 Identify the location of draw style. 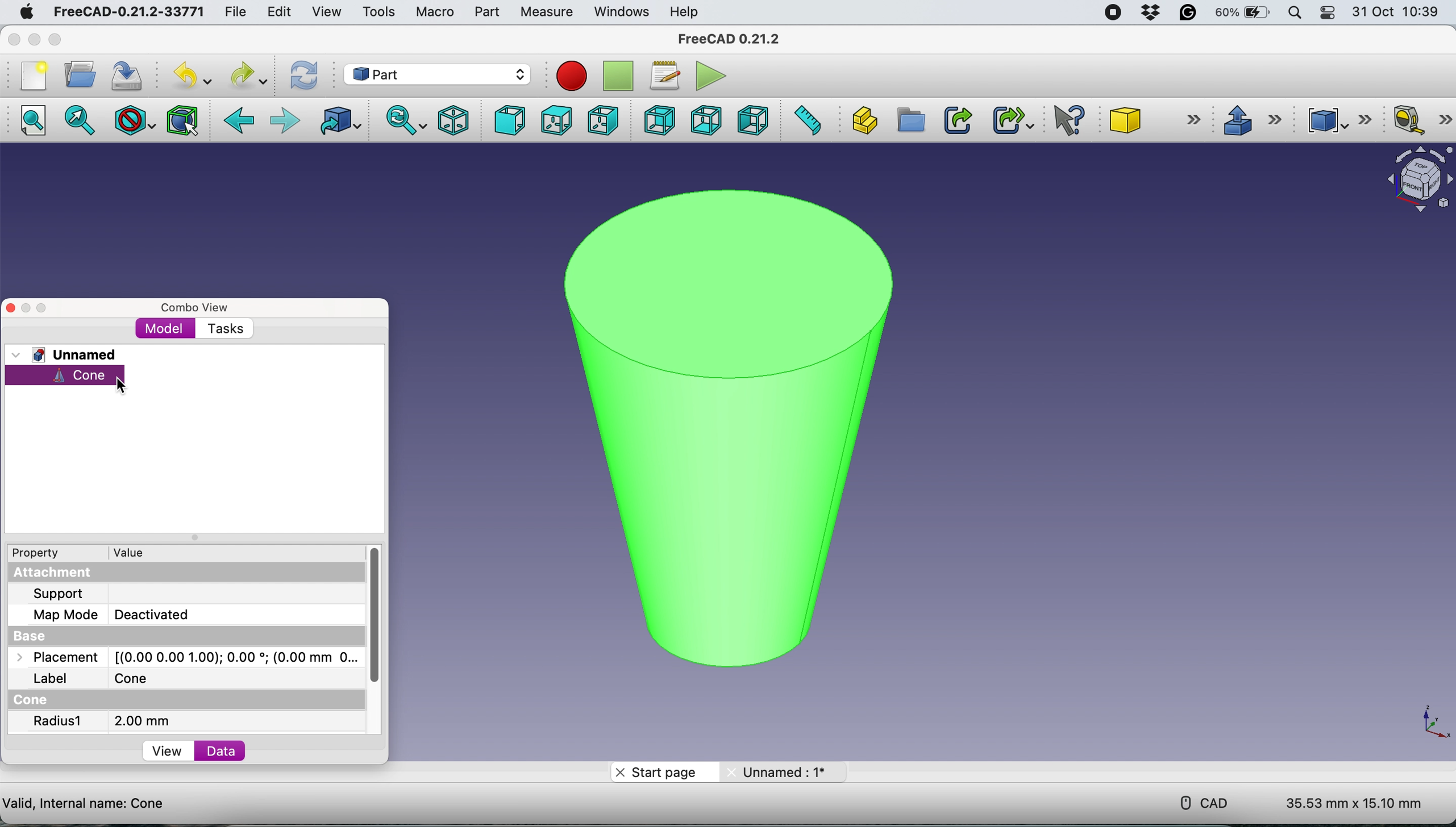
(132, 120).